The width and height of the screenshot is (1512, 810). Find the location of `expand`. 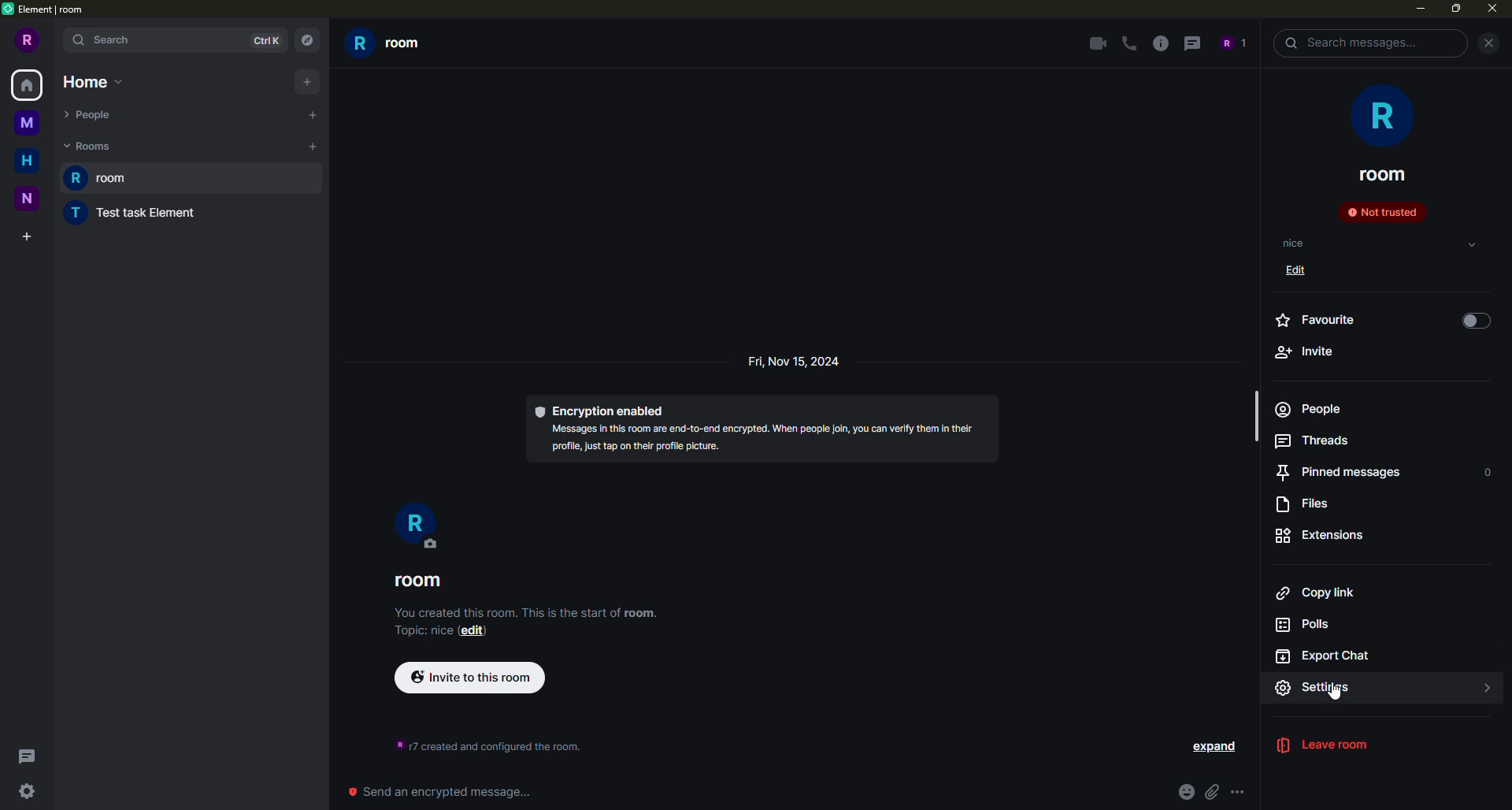

expand is located at coordinates (1215, 748).